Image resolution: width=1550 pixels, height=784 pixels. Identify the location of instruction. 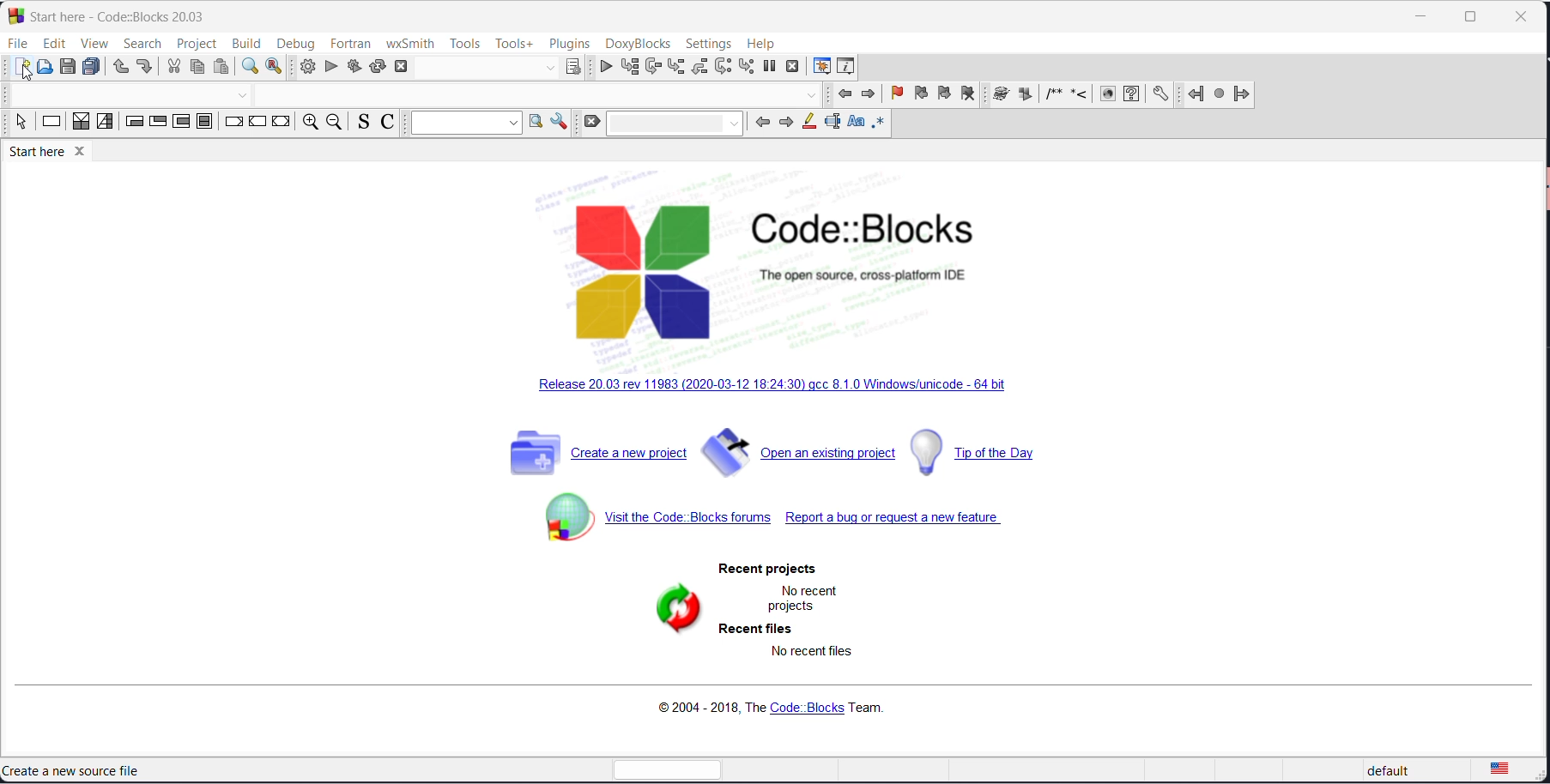
(51, 125).